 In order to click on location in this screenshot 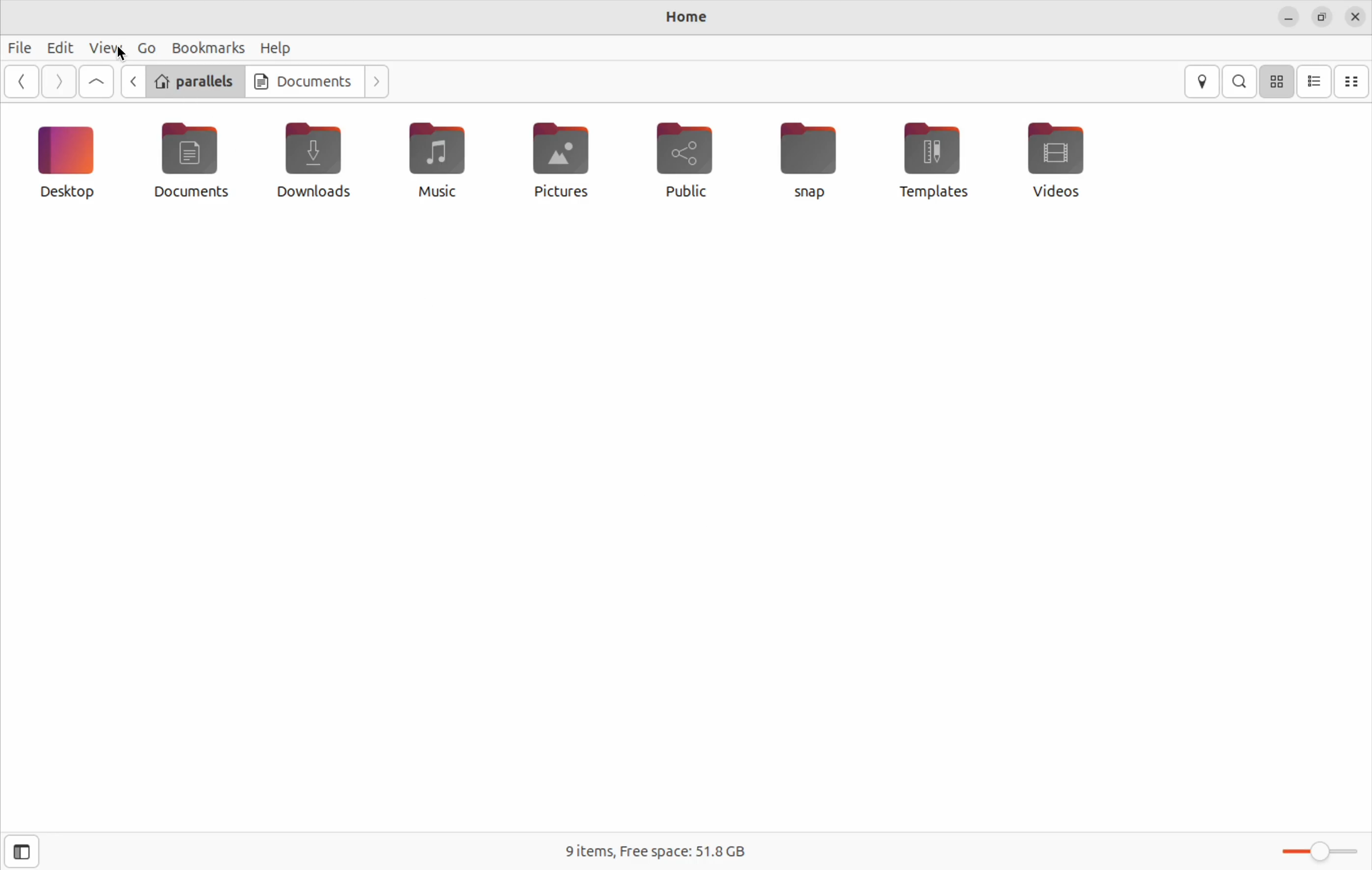, I will do `click(1204, 83)`.